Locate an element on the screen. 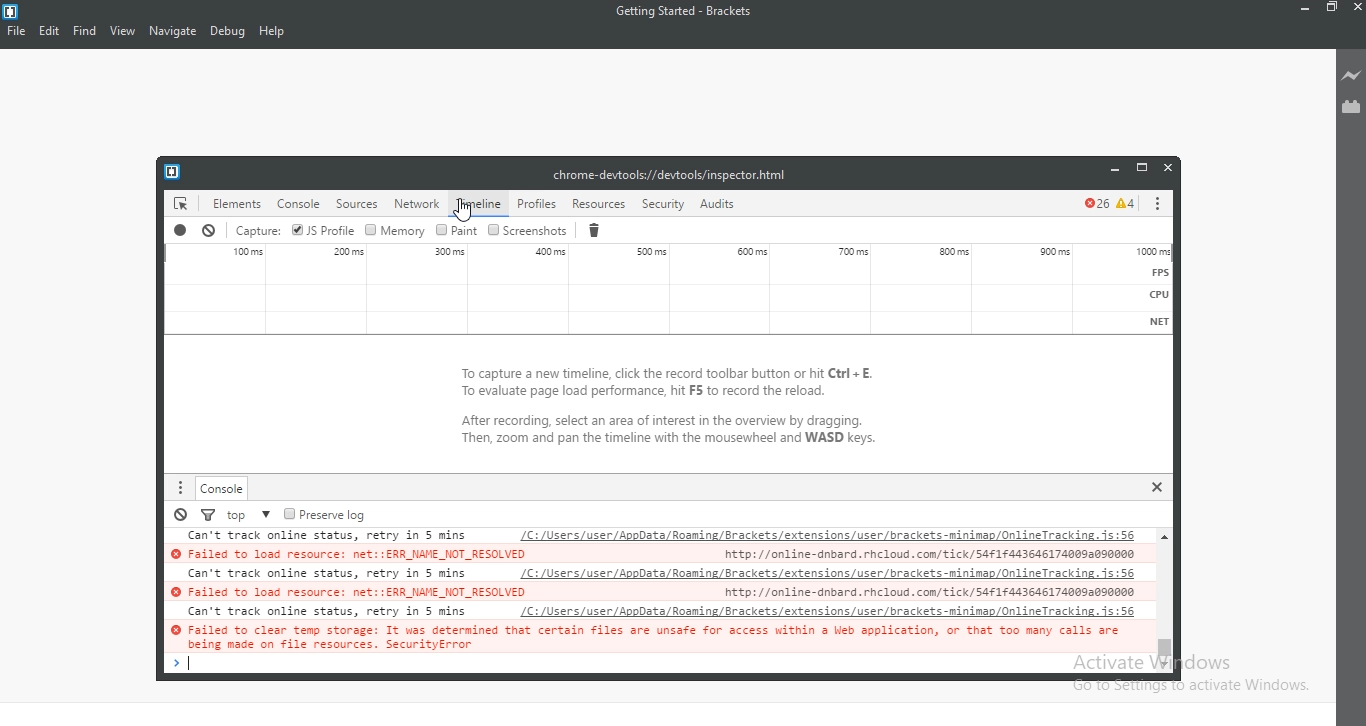  Sound Waveform graph is located at coordinates (670, 287).